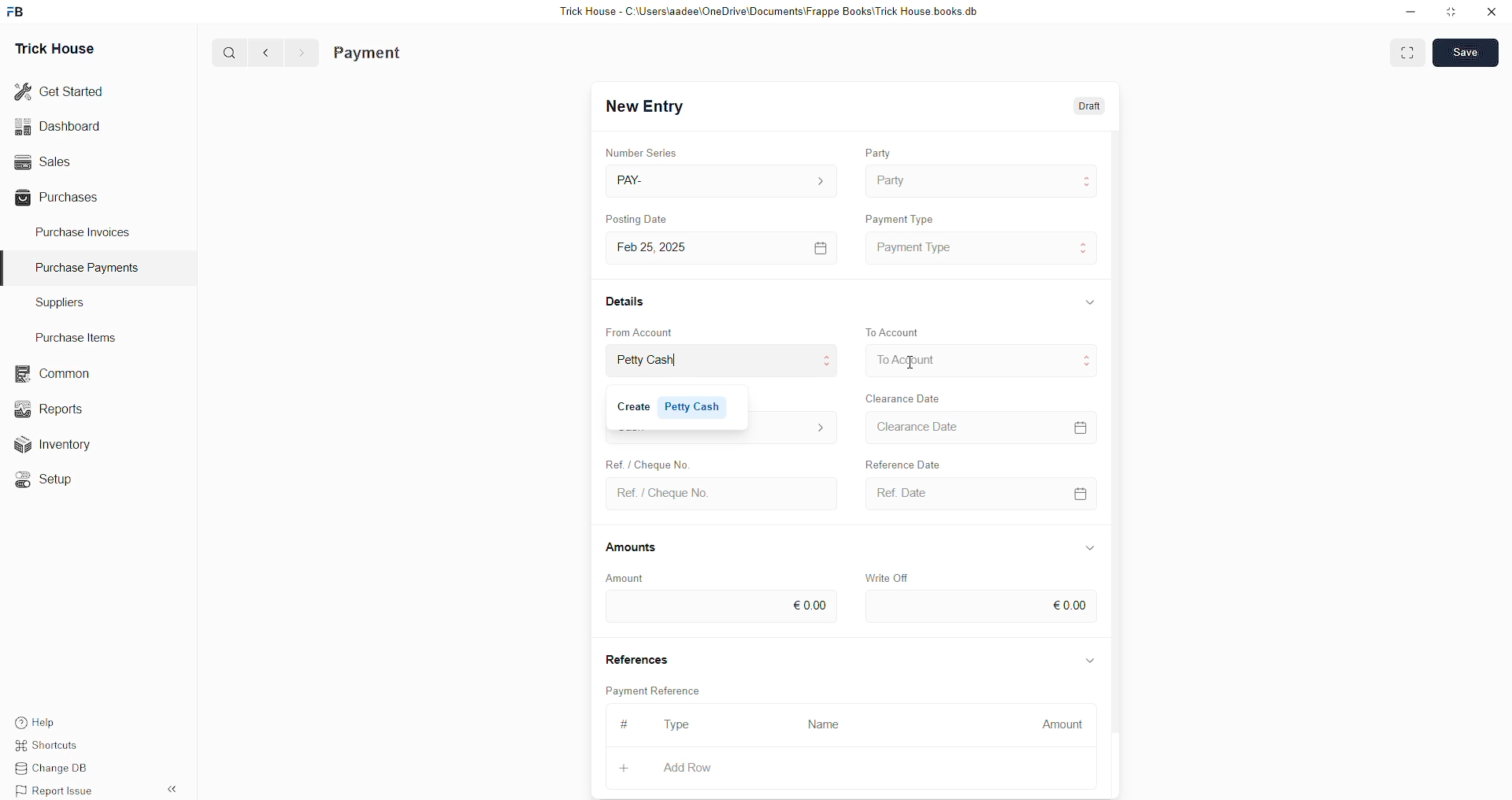 The width and height of the screenshot is (1512, 800). Describe the element at coordinates (640, 659) in the screenshot. I see `References` at that location.